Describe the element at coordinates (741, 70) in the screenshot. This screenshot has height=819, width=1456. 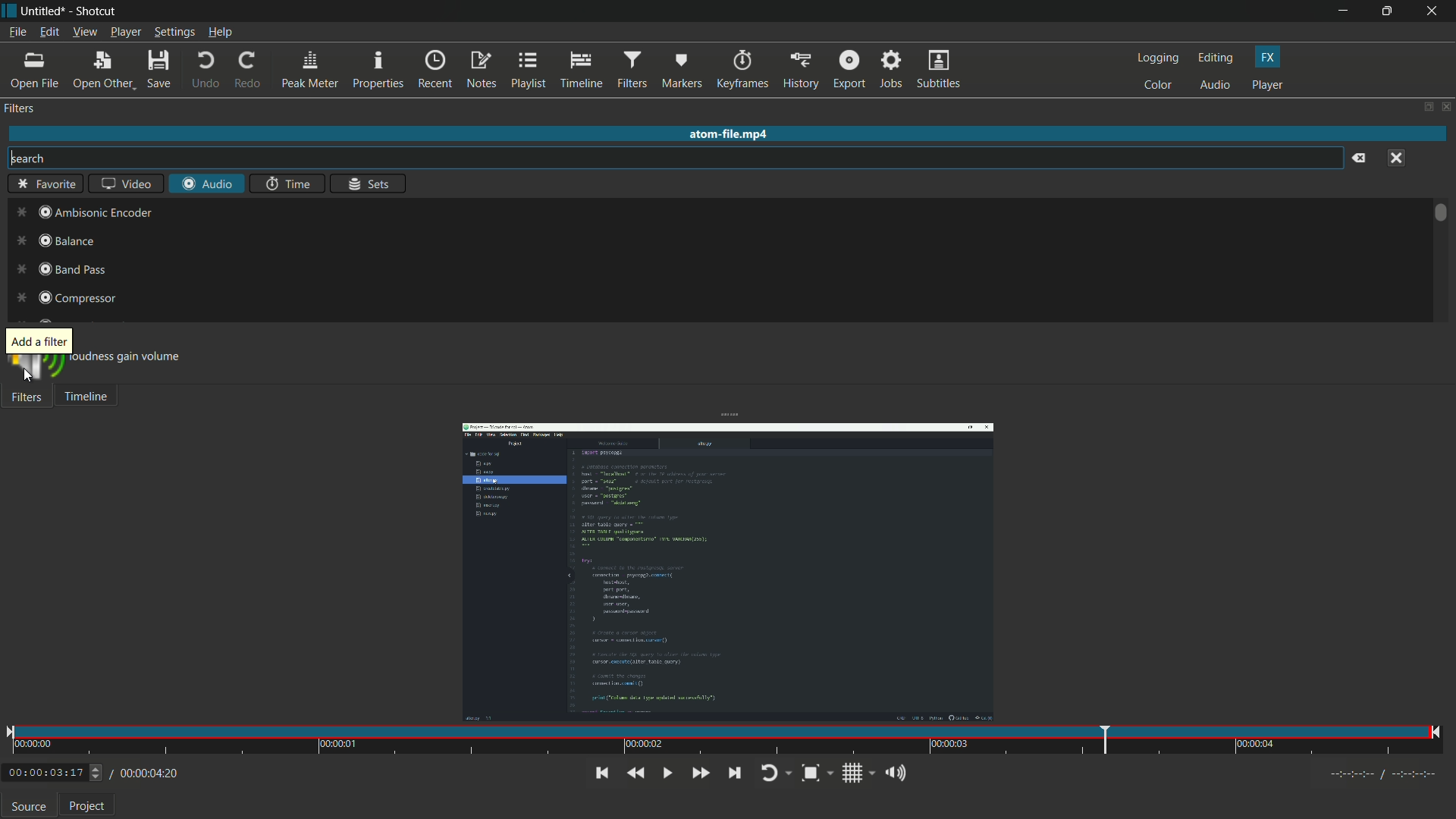
I see `keyframes` at that location.